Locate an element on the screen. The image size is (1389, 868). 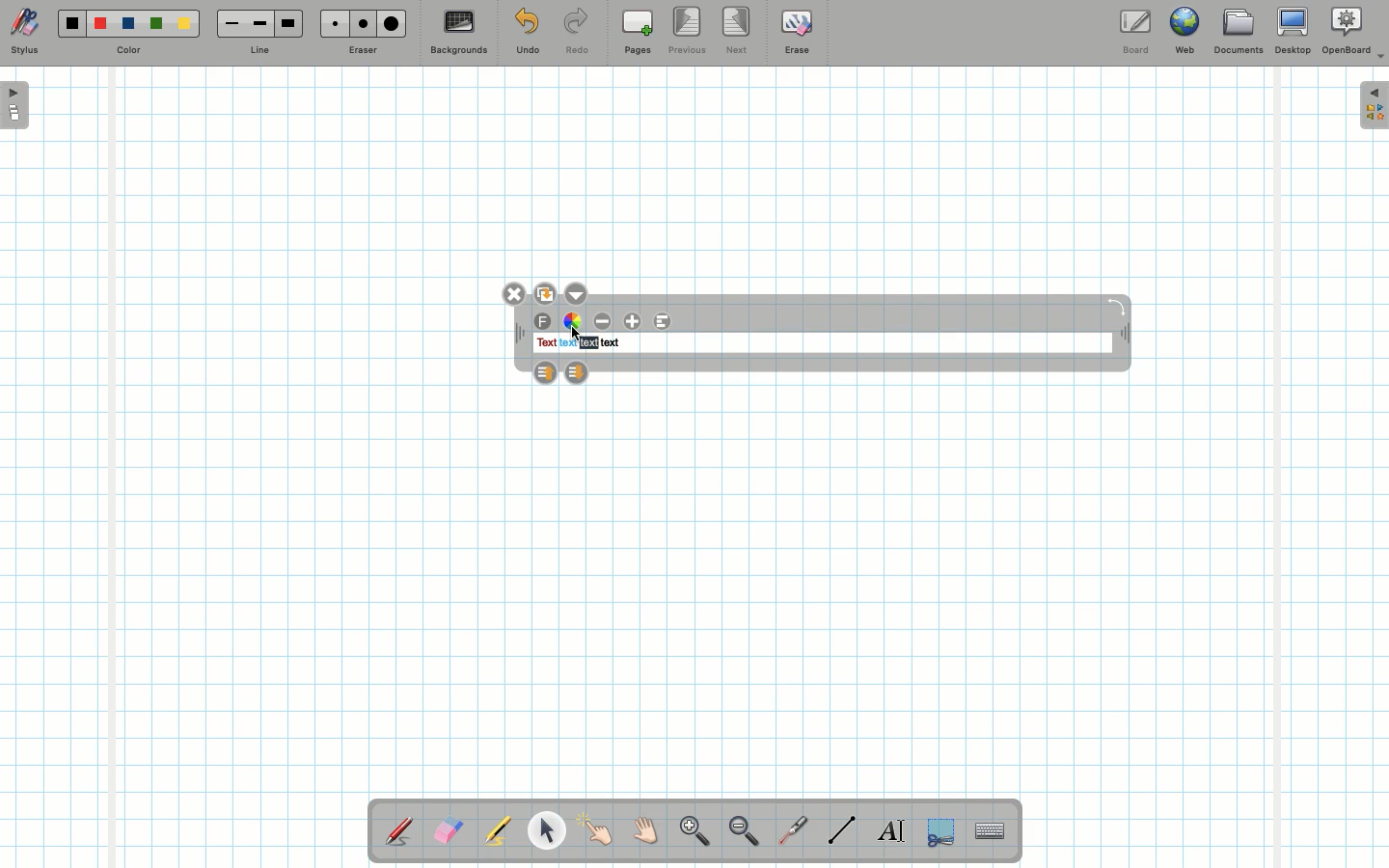
Black is located at coordinates (70, 23).